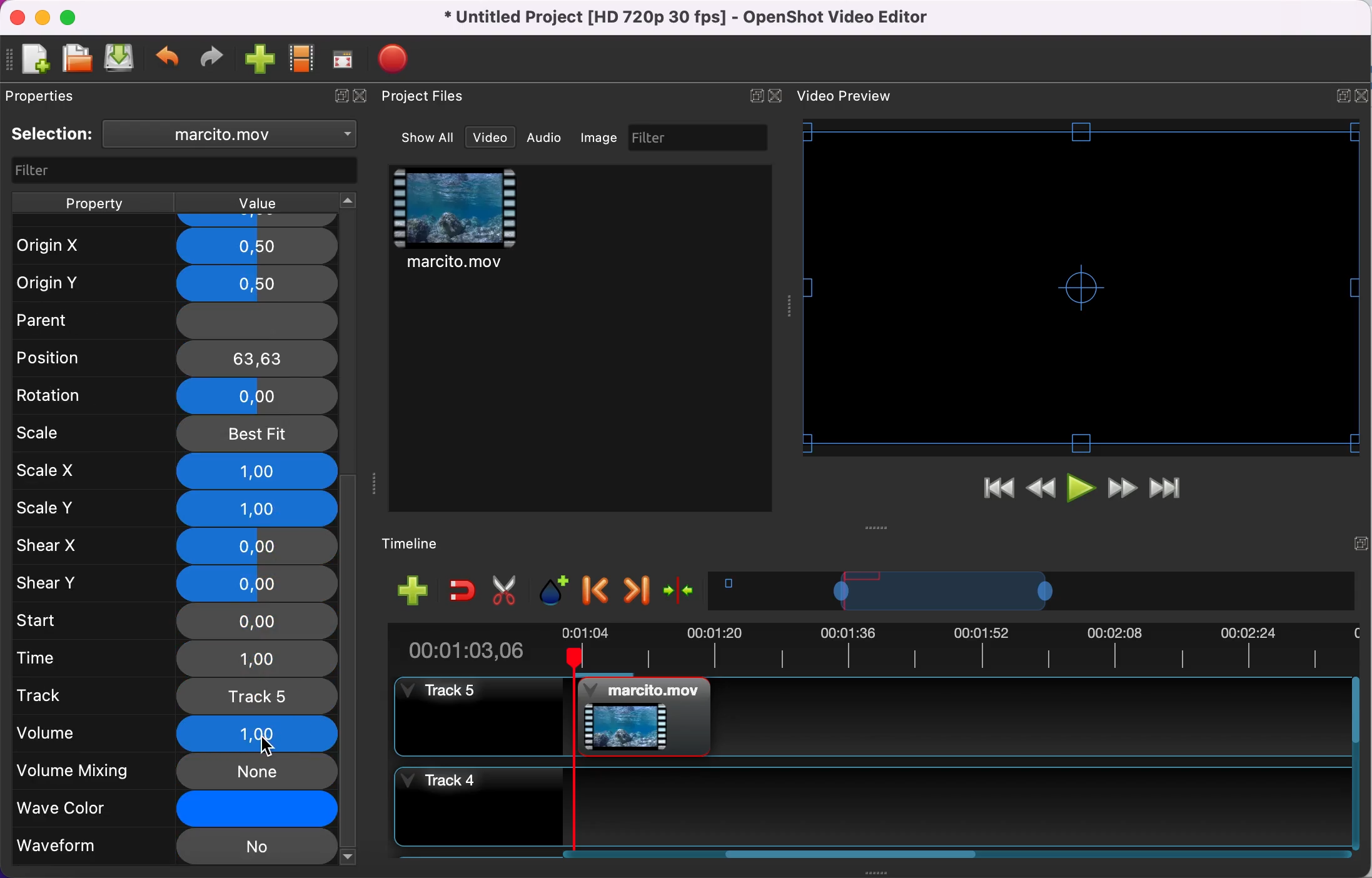  Describe the element at coordinates (864, 648) in the screenshot. I see `clip duration` at that location.